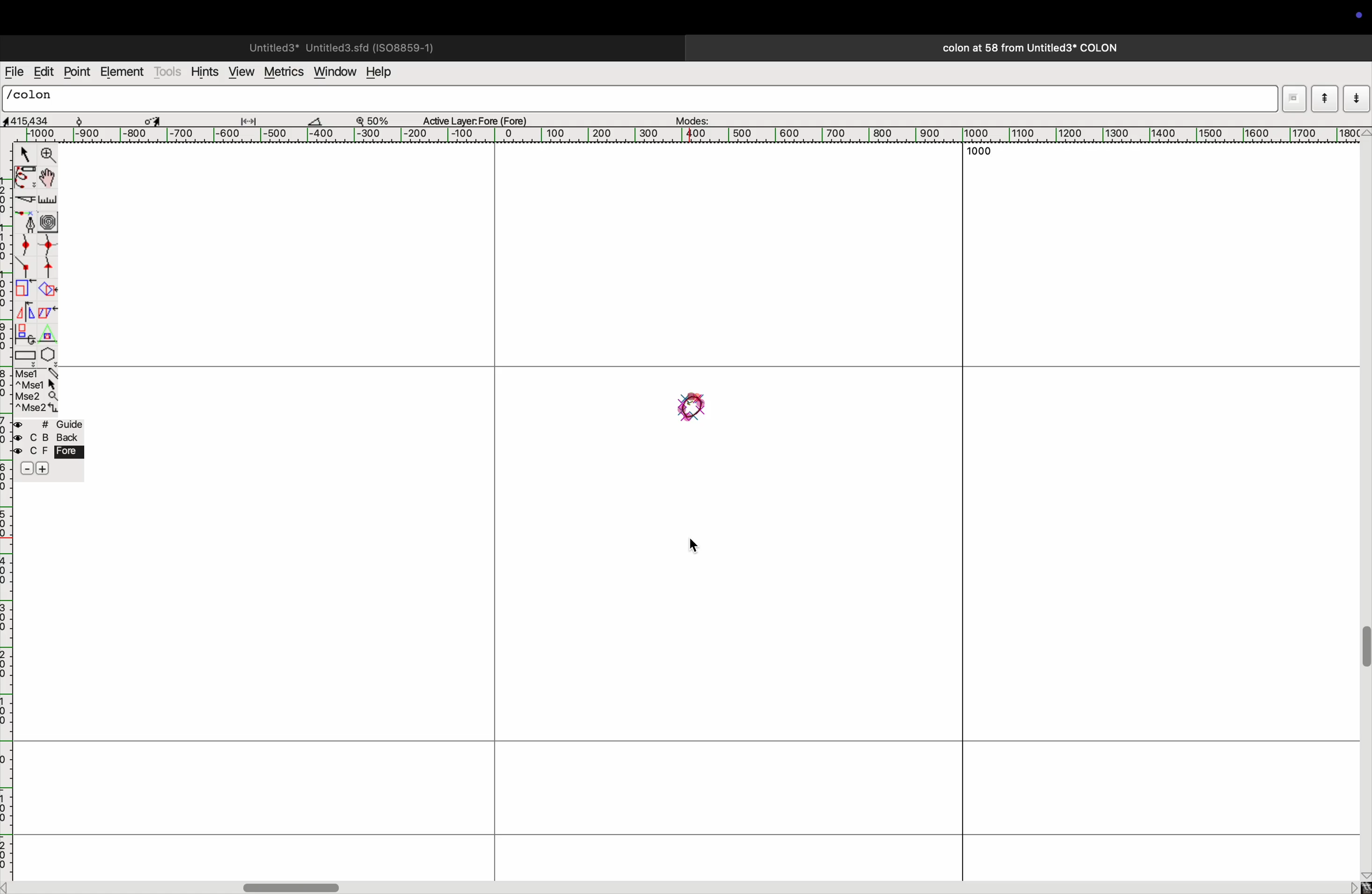 This screenshot has width=1372, height=894. Describe the element at coordinates (333, 73) in the screenshot. I see `window` at that location.